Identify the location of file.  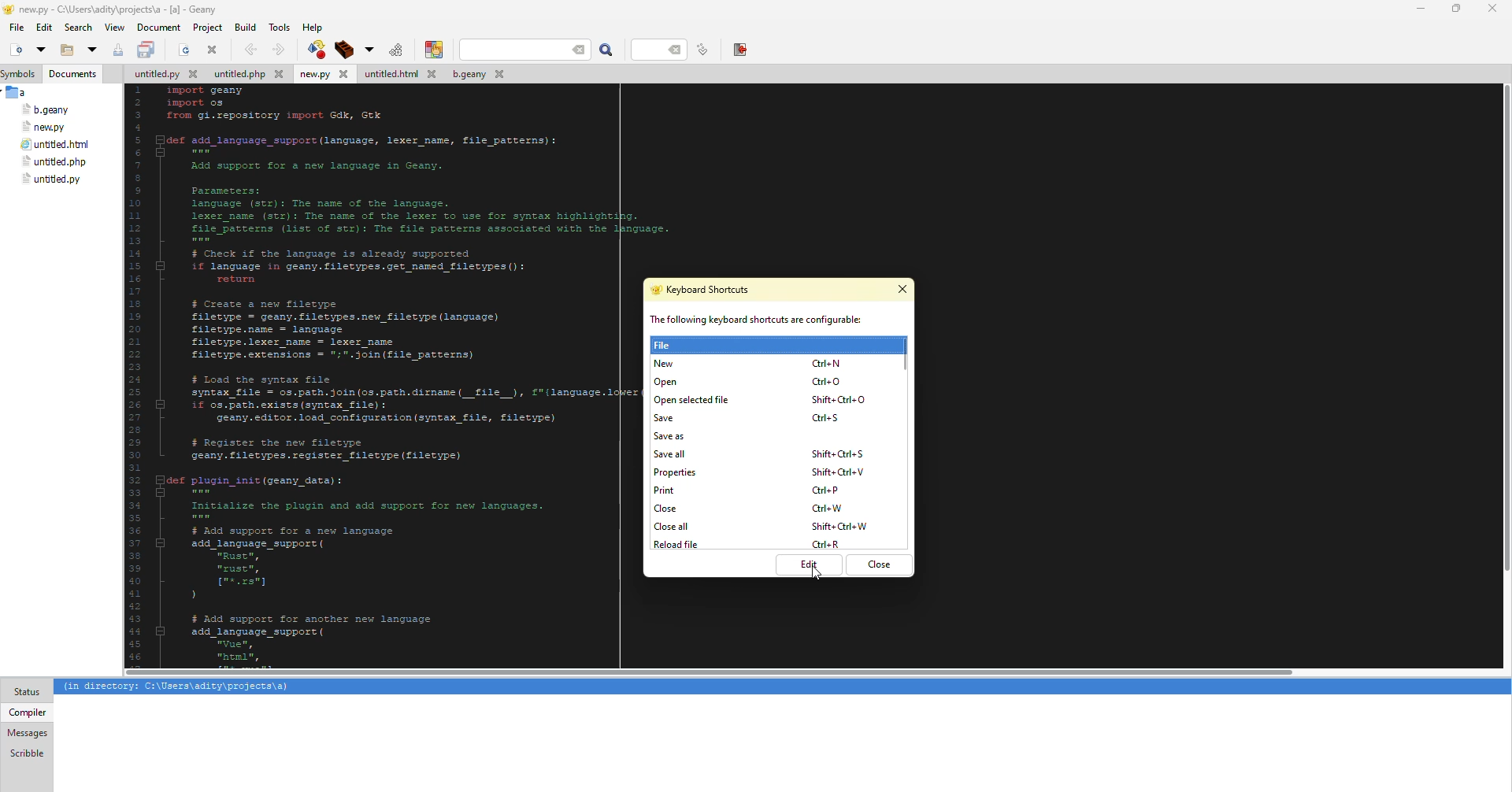
(398, 75).